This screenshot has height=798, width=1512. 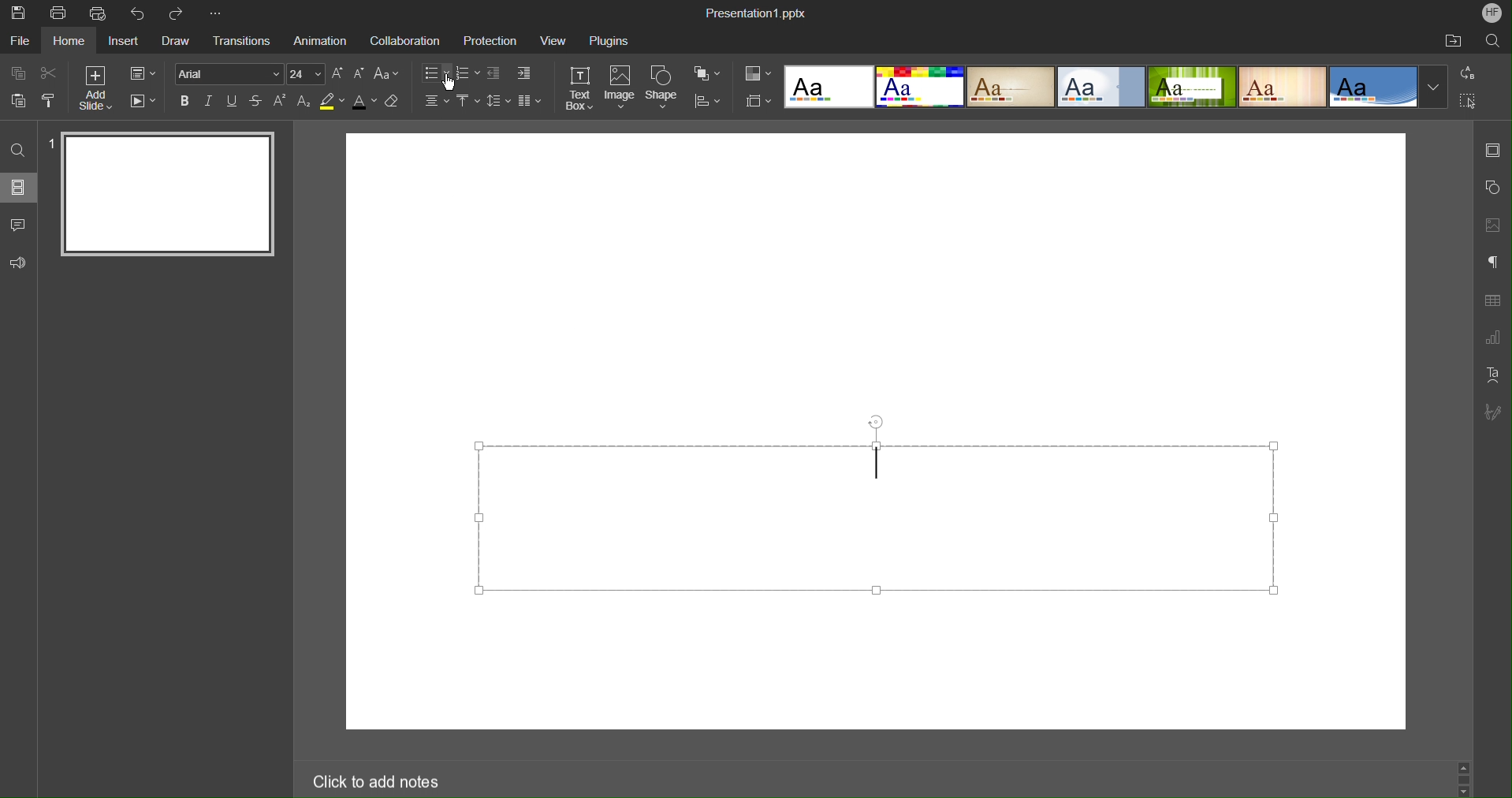 What do you see at coordinates (437, 73) in the screenshot?
I see `Bullets` at bounding box center [437, 73].